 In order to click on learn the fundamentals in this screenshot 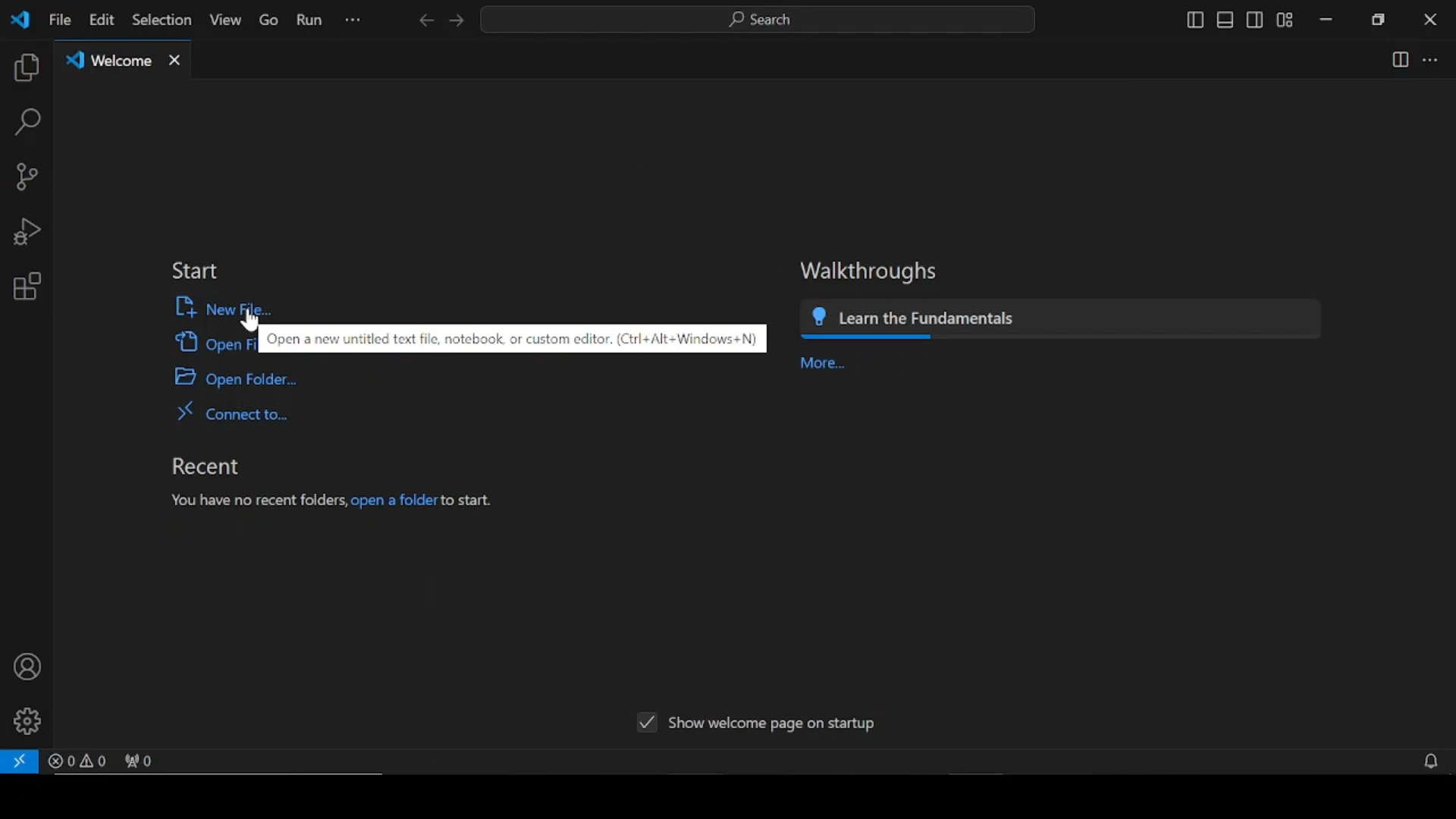, I will do `click(1058, 322)`.